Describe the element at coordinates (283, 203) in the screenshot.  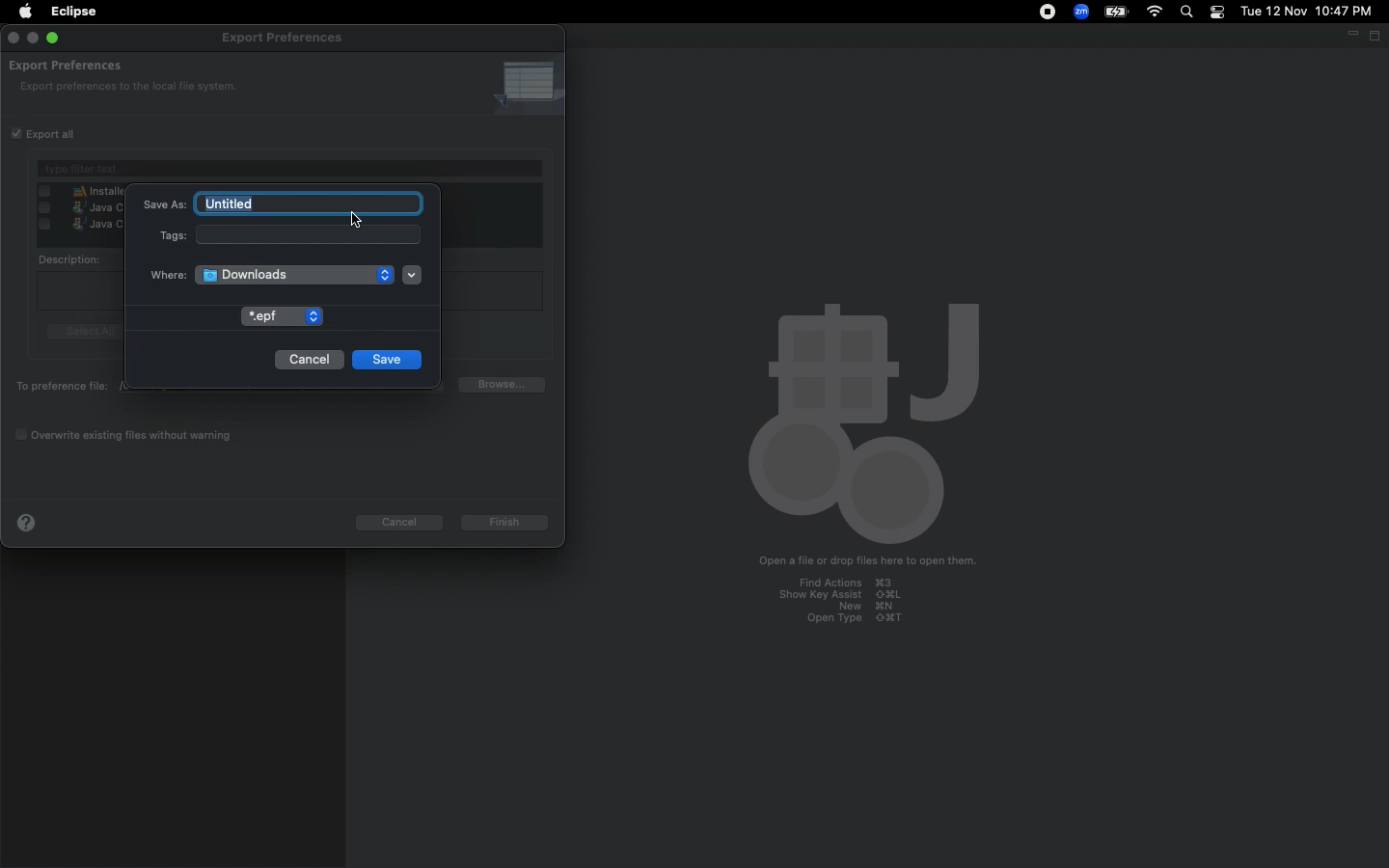
I see `Save as: untitled ` at that location.